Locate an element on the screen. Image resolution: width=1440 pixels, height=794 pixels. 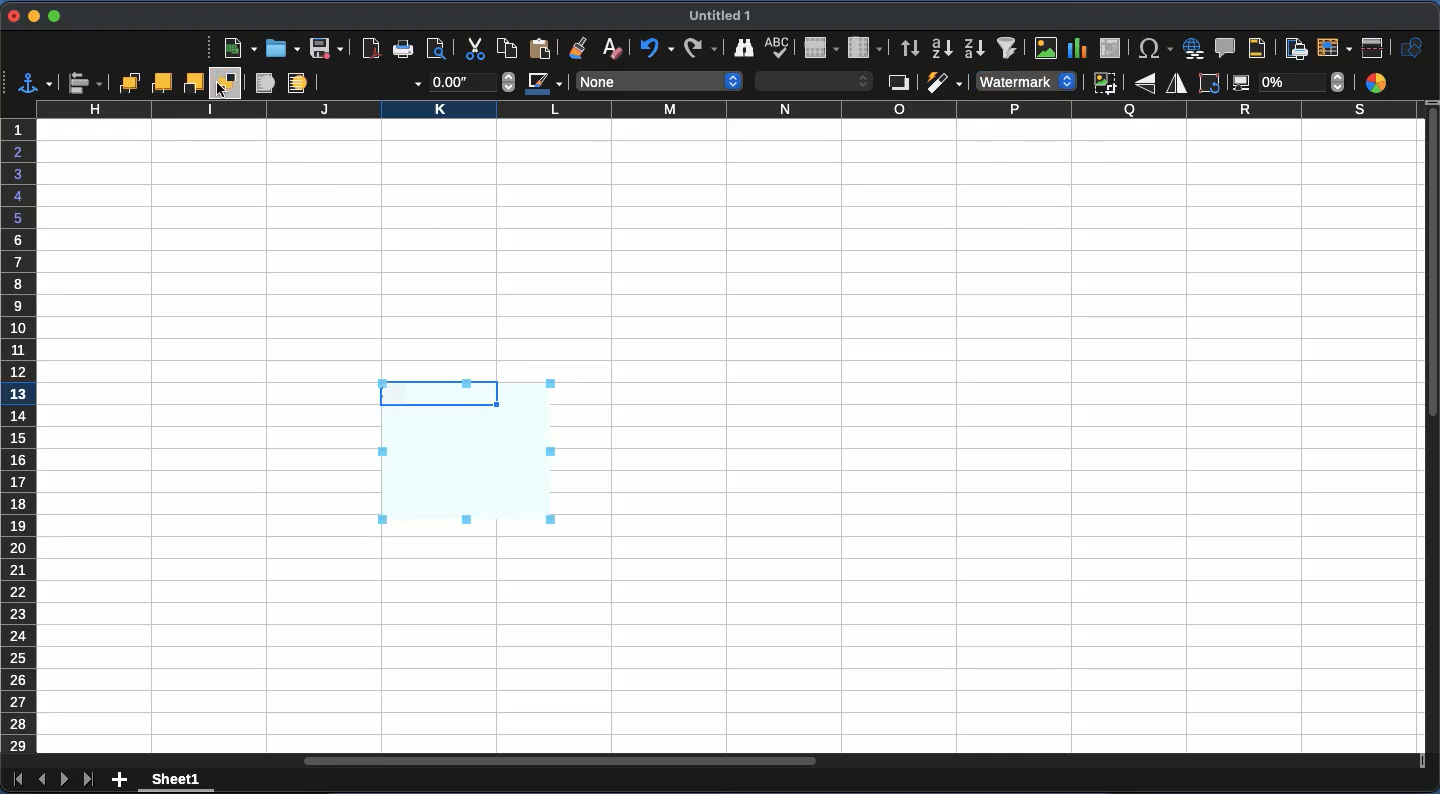
headers and footers is located at coordinates (1263, 47).